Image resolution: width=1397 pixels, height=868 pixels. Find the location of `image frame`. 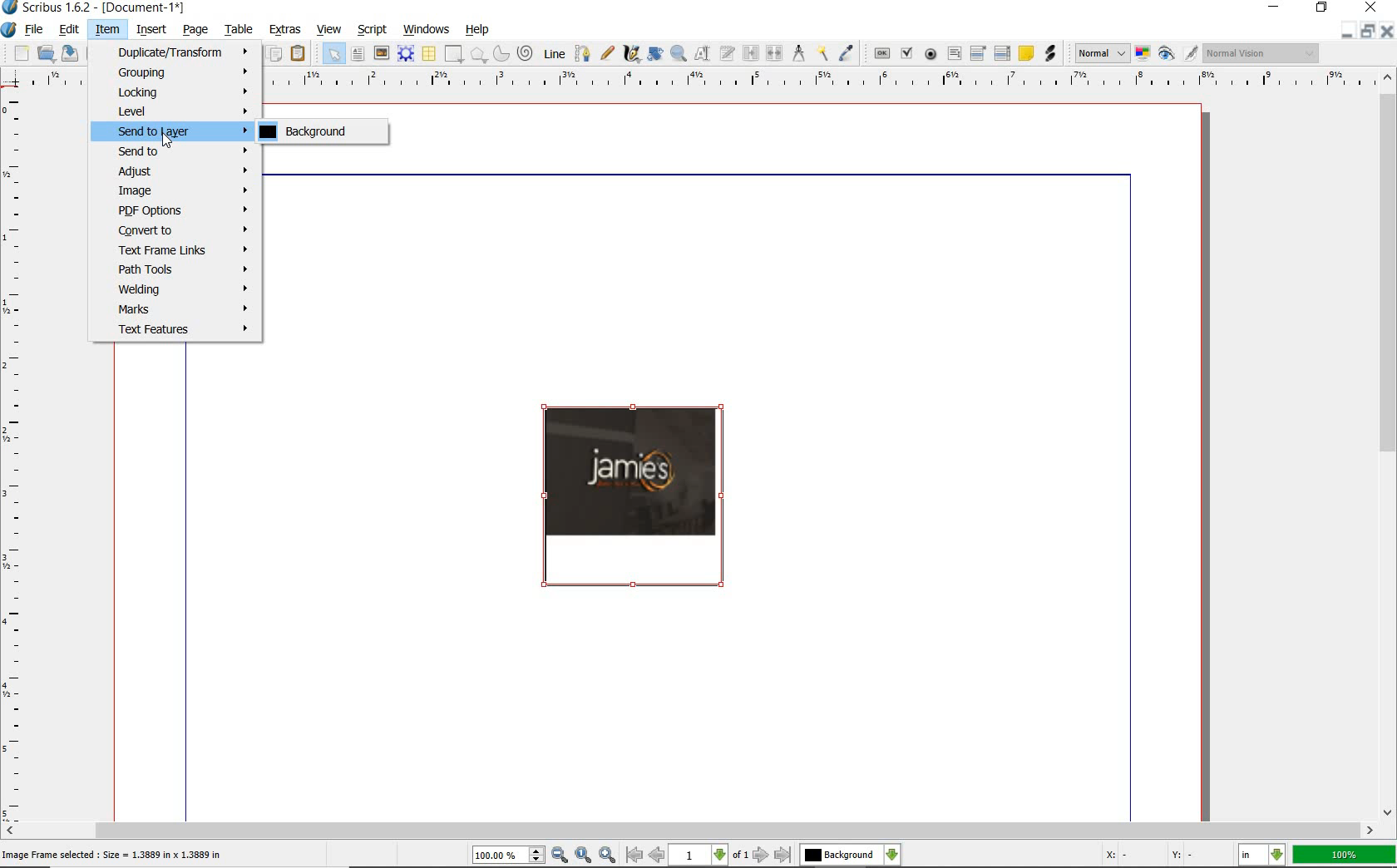

image frame is located at coordinates (381, 54).